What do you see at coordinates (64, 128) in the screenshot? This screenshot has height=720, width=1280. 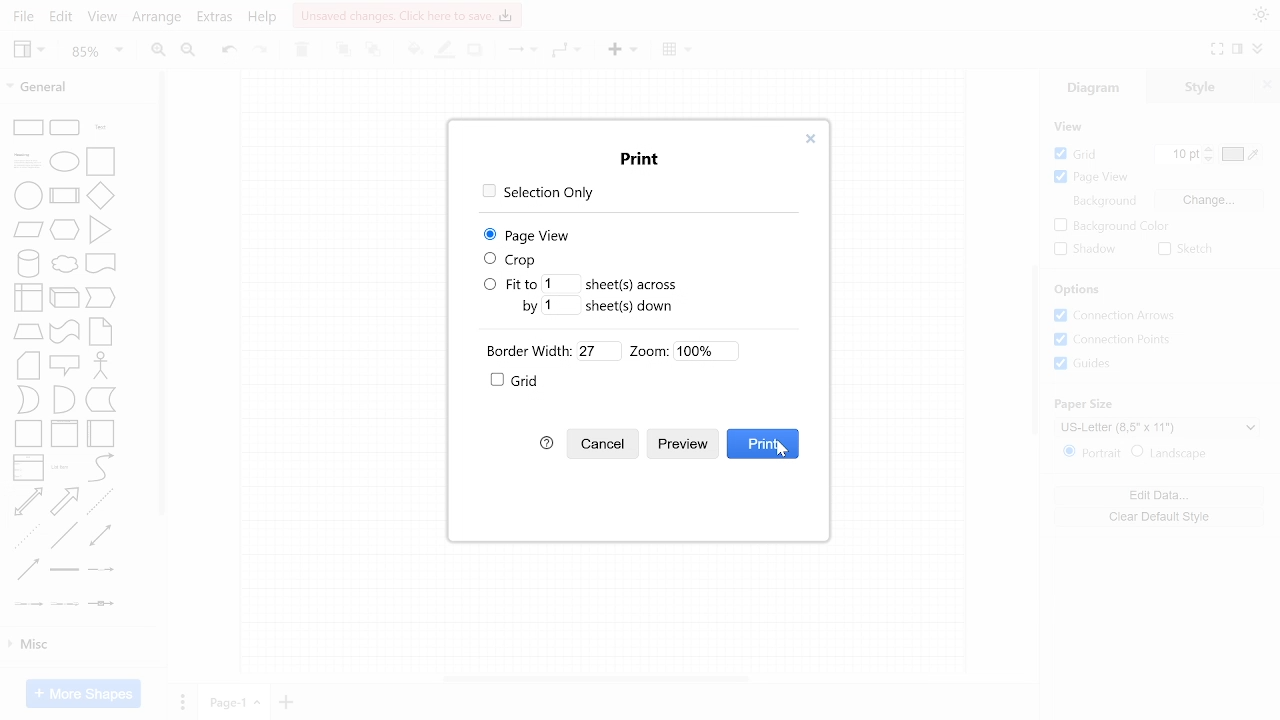 I see `Rounded rectangle` at bounding box center [64, 128].